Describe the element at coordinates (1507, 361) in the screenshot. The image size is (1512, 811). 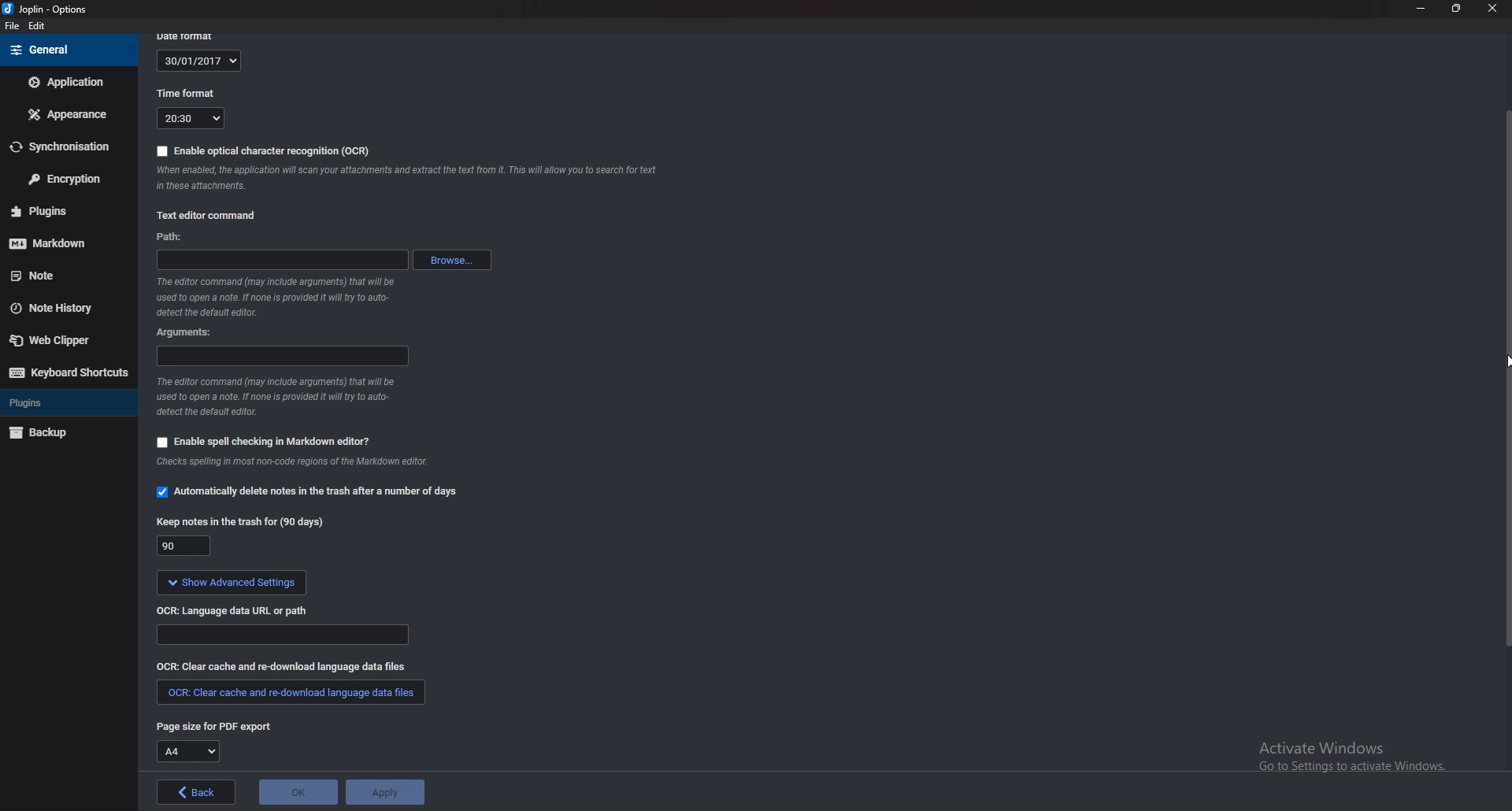
I see `cursor` at that location.